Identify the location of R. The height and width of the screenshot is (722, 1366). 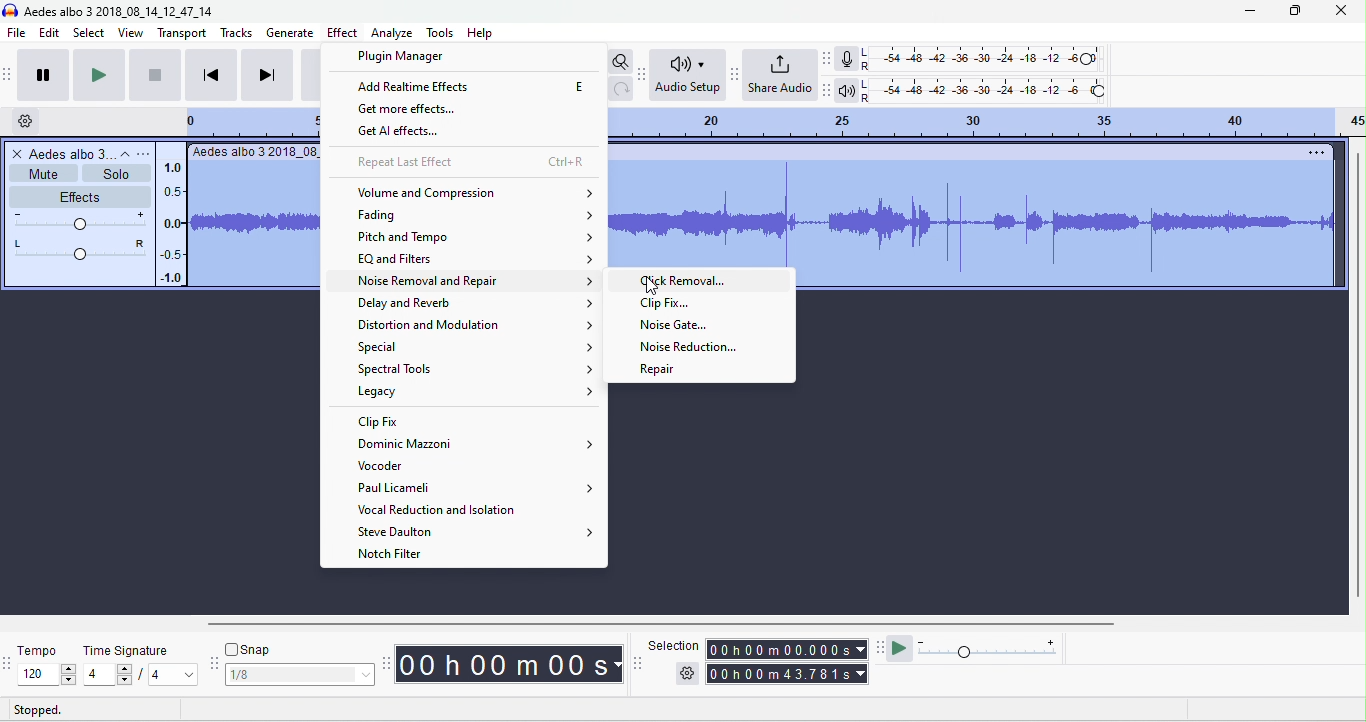
(867, 98).